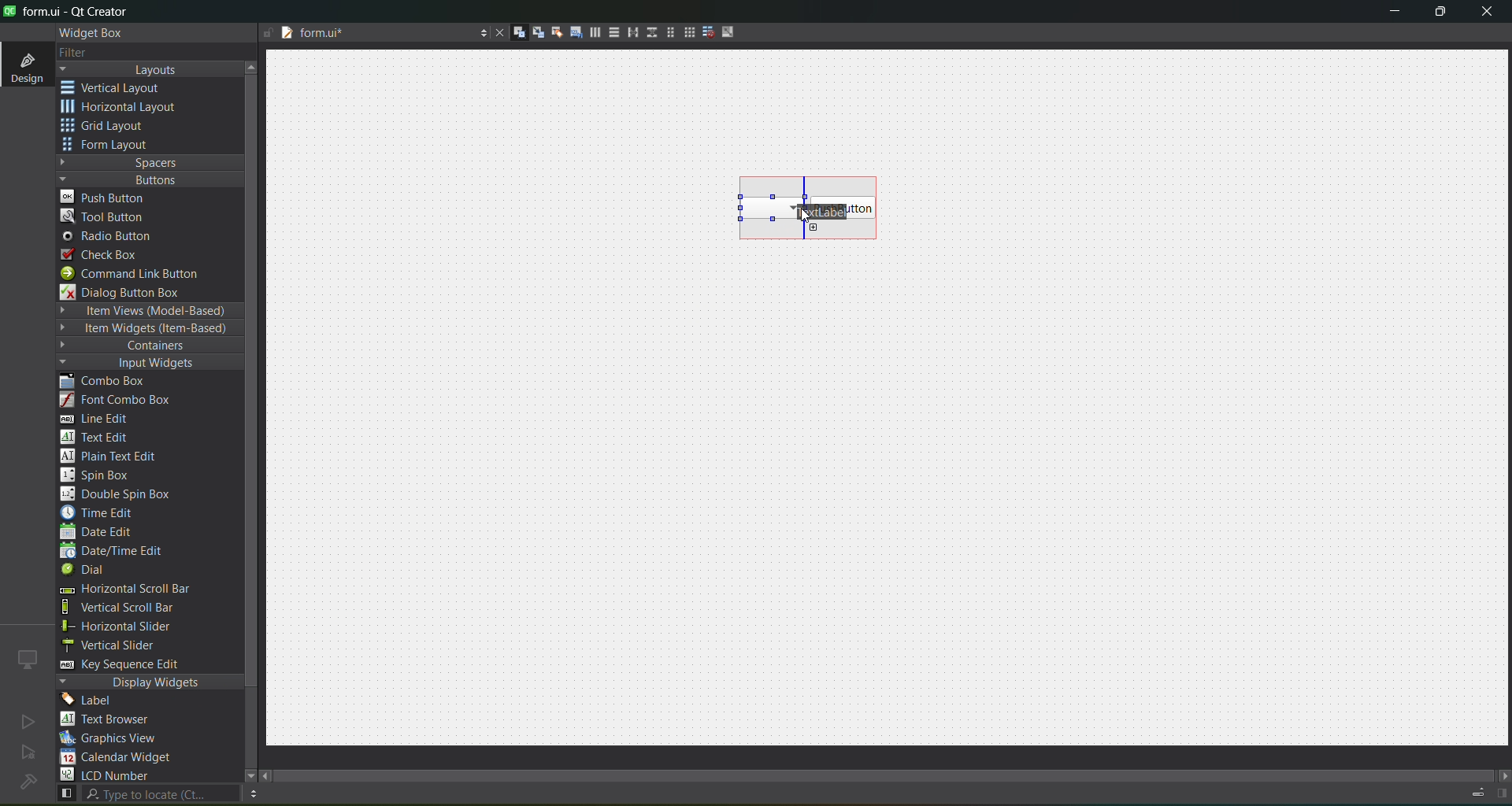  Describe the element at coordinates (570, 35) in the screenshot. I see `edit tab` at that location.